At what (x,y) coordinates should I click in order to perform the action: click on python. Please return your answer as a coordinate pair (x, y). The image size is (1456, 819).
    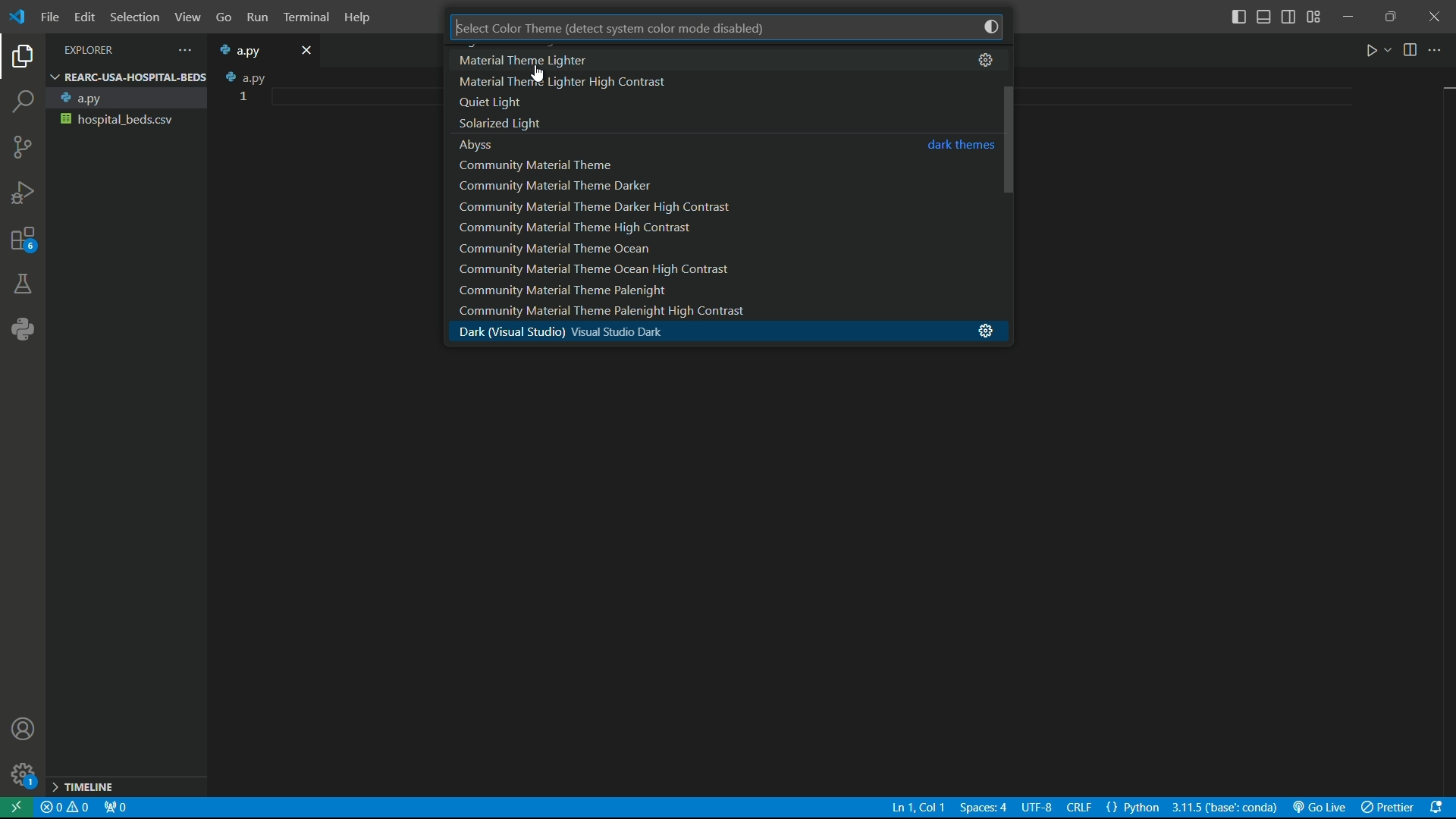
    Looking at the image, I should click on (20, 331).